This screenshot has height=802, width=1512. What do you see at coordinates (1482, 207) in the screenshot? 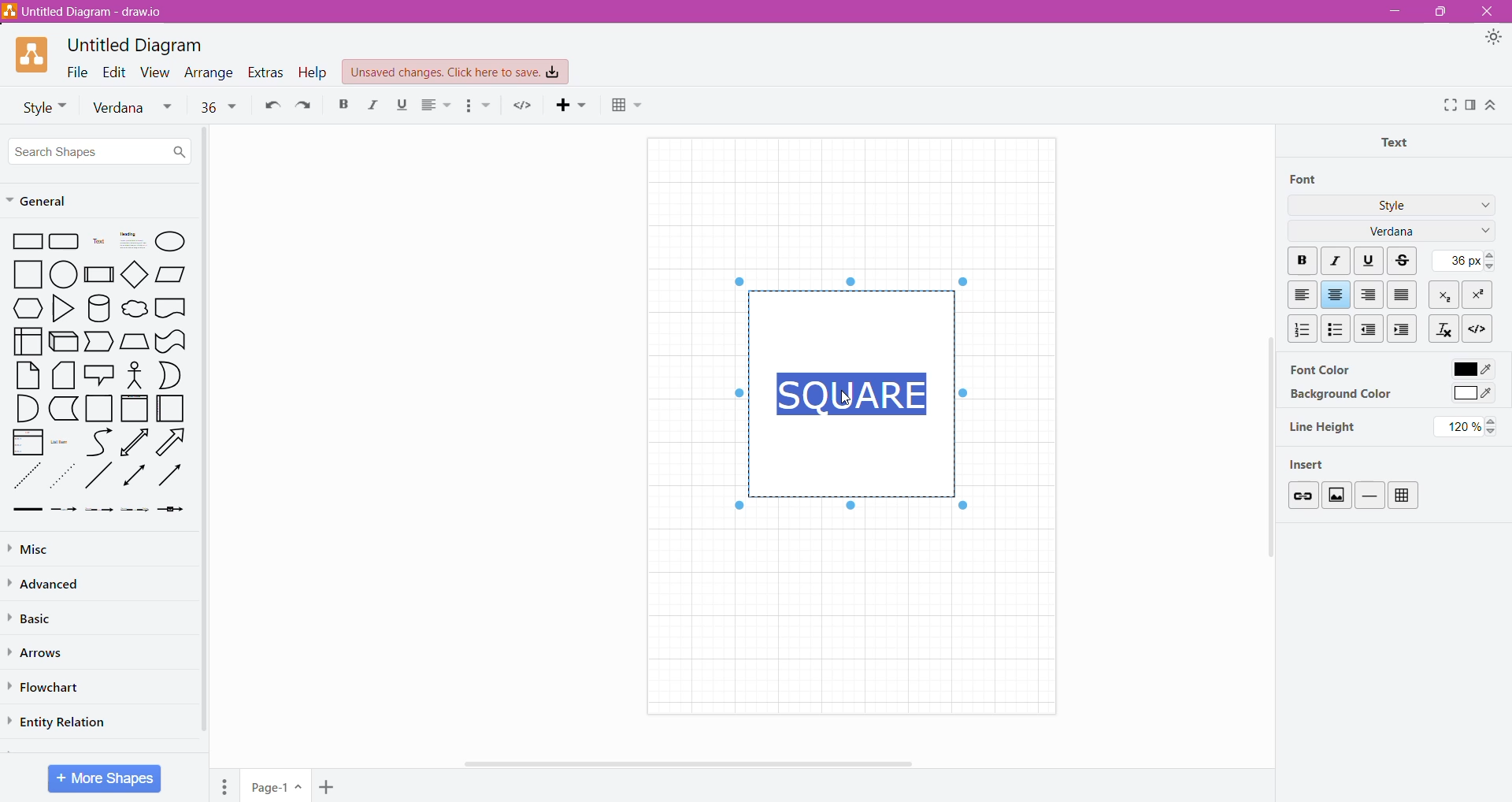
I see `More Styles` at bounding box center [1482, 207].